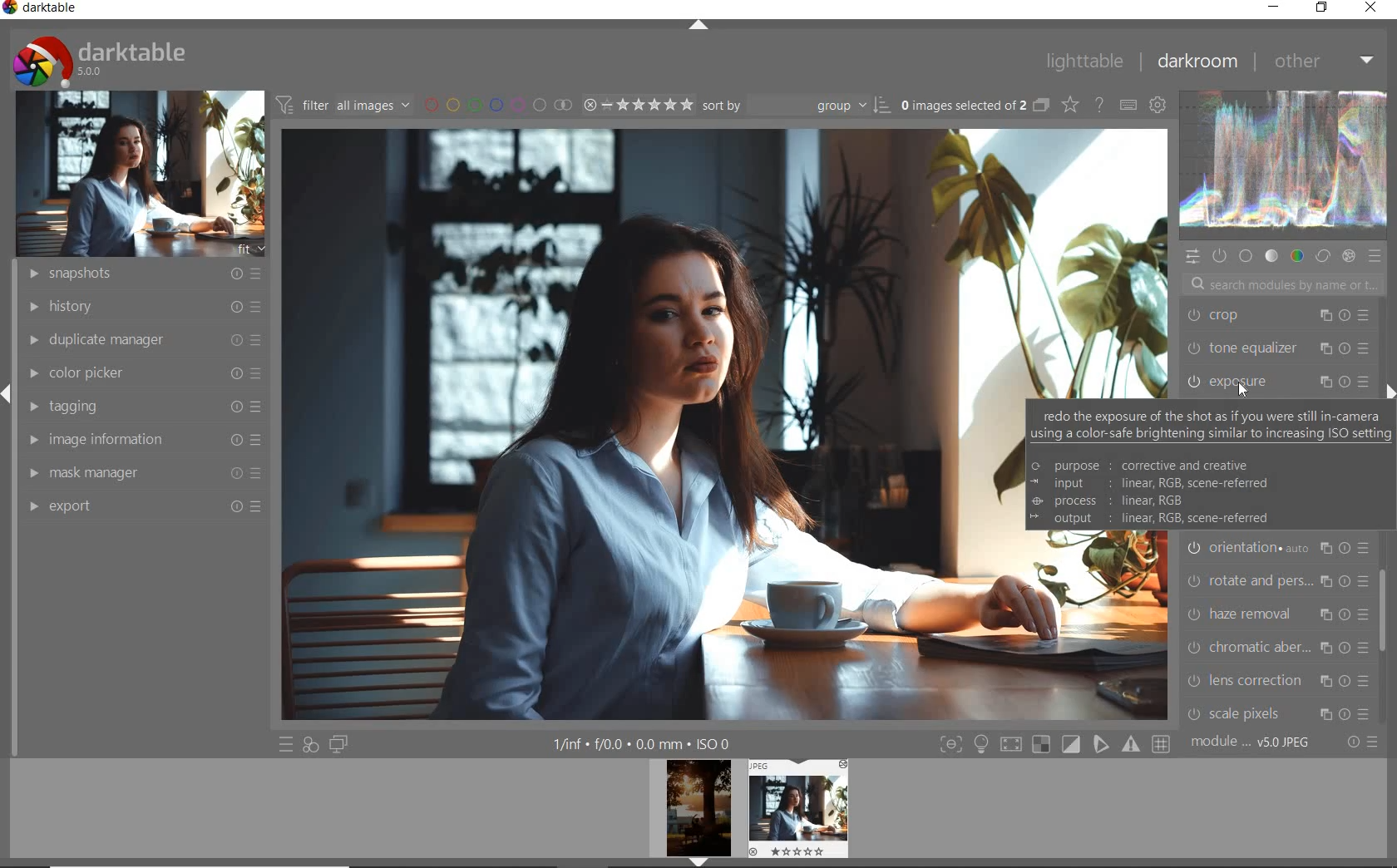 The image size is (1397, 868). Describe the element at coordinates (1370, 8) in the screenshot. I see `CLOSE` at that location.